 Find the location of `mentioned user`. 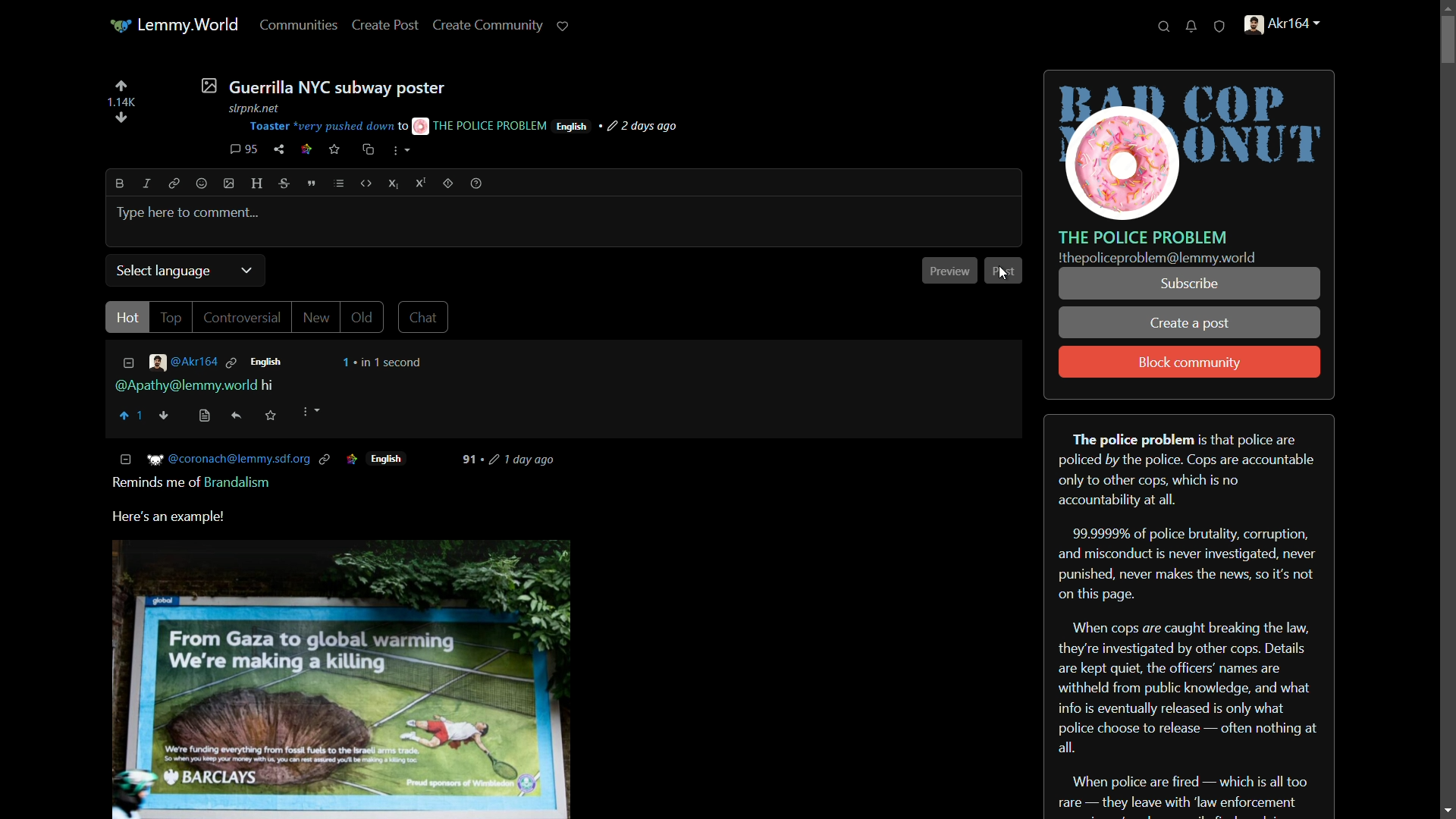

mentioned user is located at coordinates (186, 385).